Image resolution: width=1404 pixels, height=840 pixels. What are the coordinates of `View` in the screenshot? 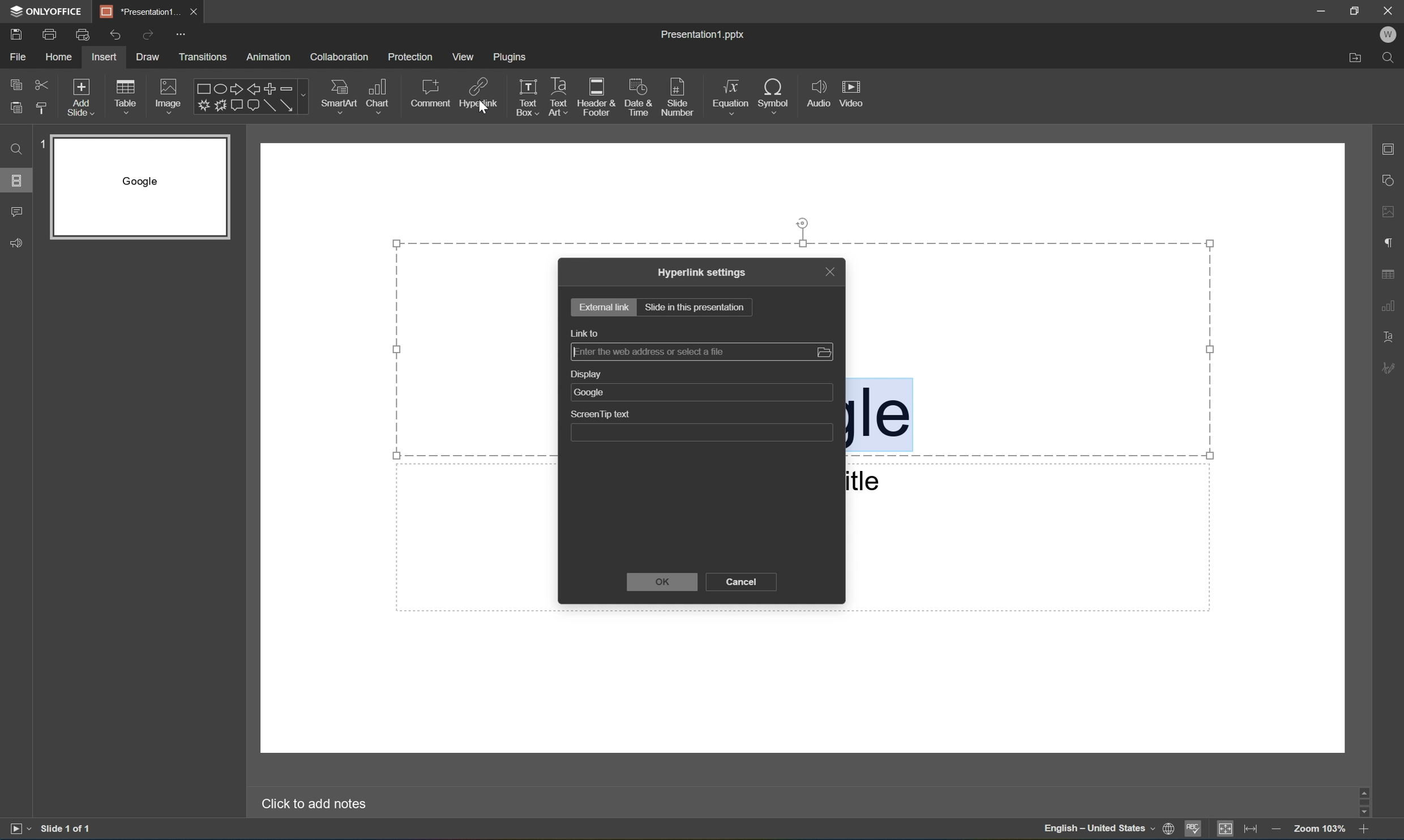 It's located at (463, 57).